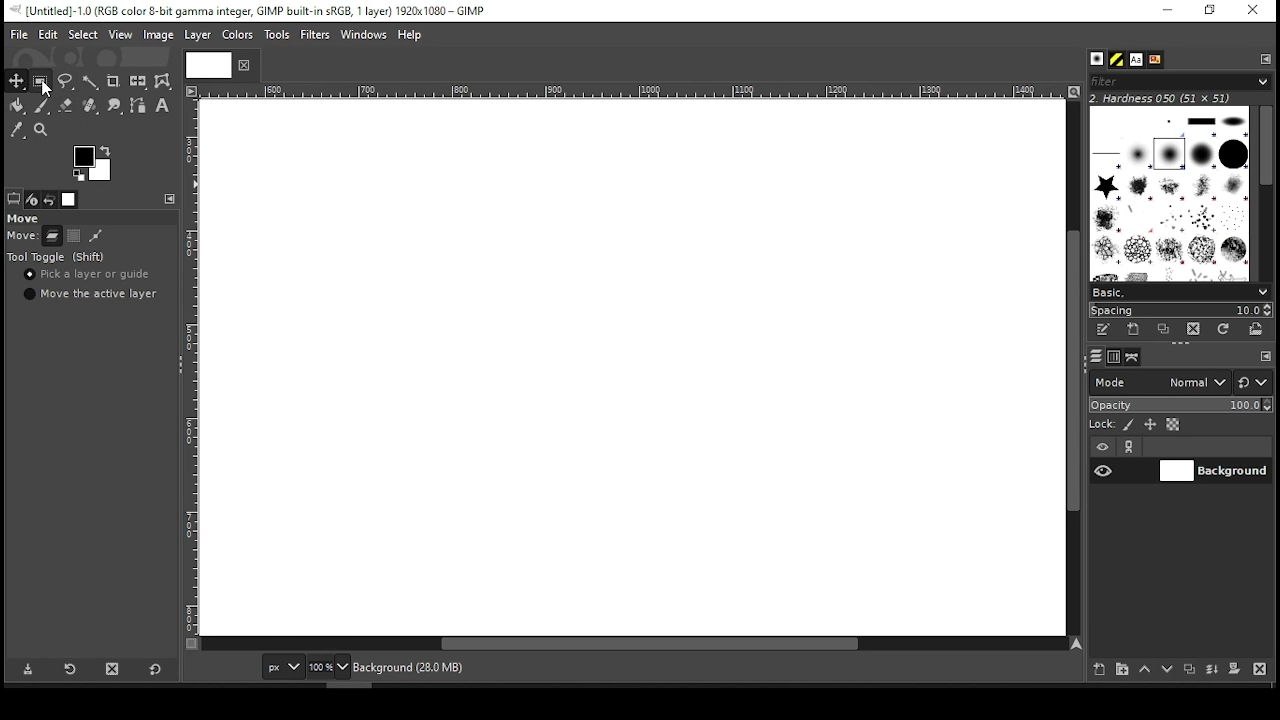 The image size is (1280, 720). What do you see at coordinates (138, 80) in the screenshot?
I see `flip tool` at bounding box center [138, 80].